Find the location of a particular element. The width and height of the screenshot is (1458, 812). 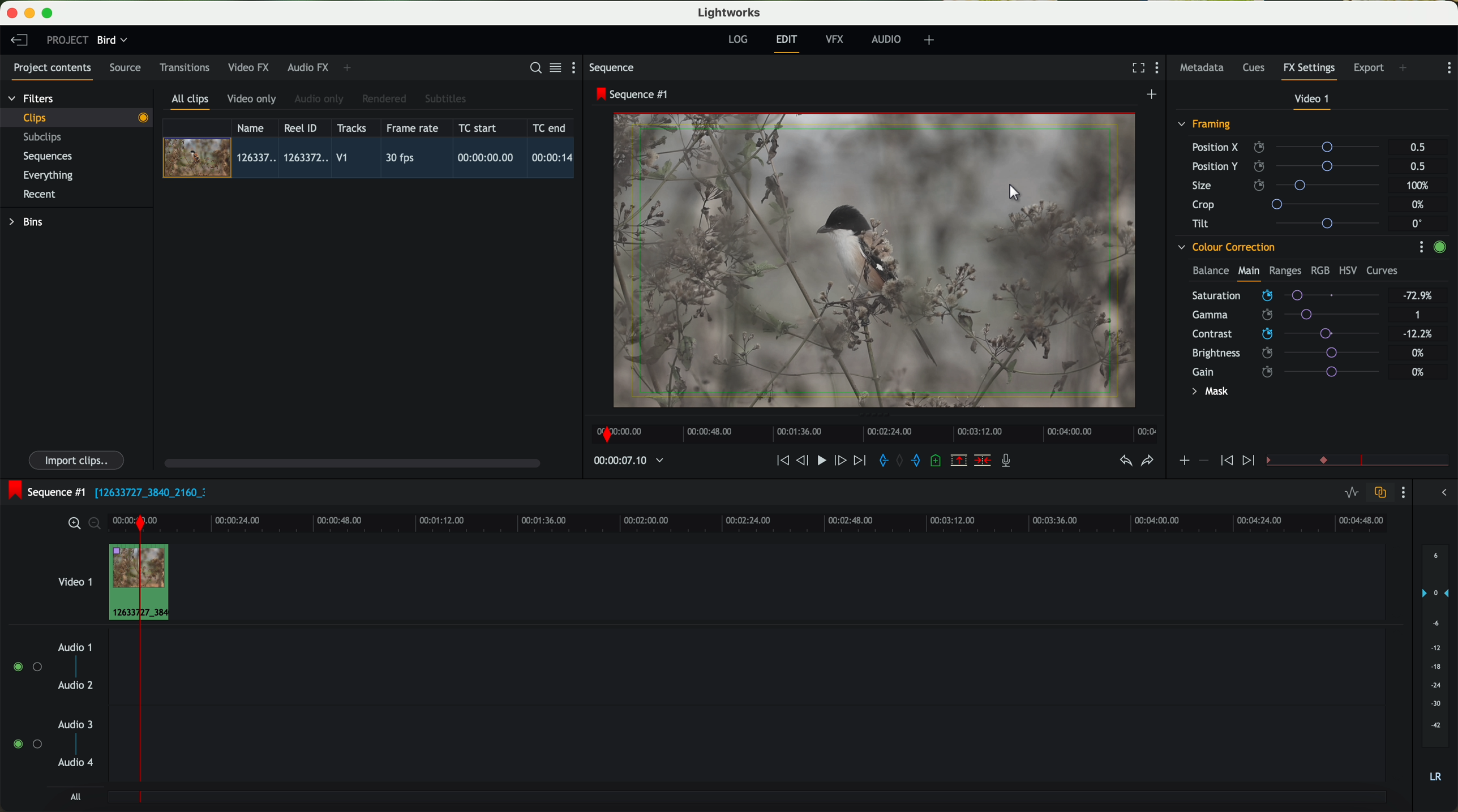

1 is located at coordinates (1418, 316).